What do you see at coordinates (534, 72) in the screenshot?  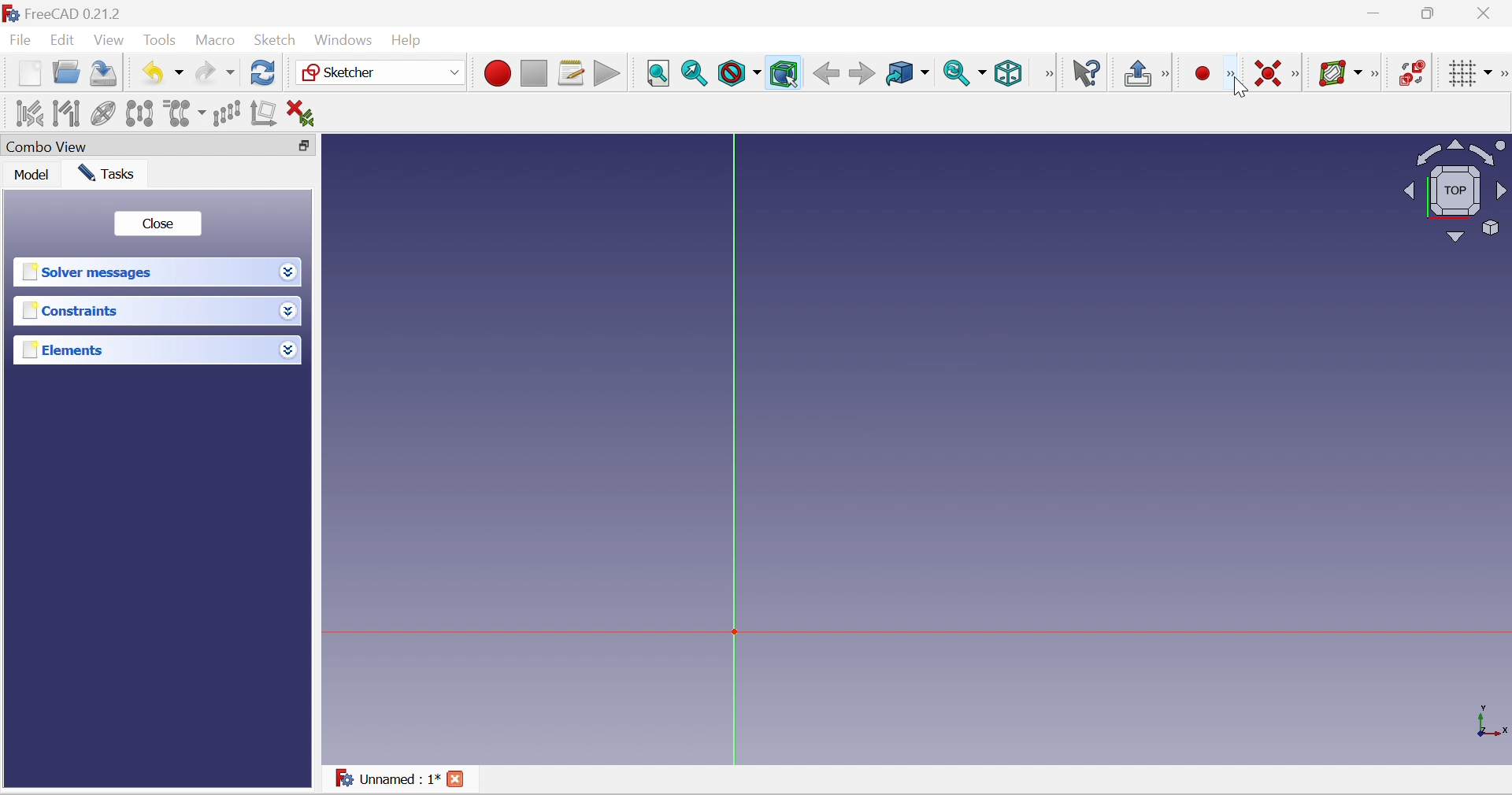 I see `Stop macro recording` at bounding box center [534, 72].